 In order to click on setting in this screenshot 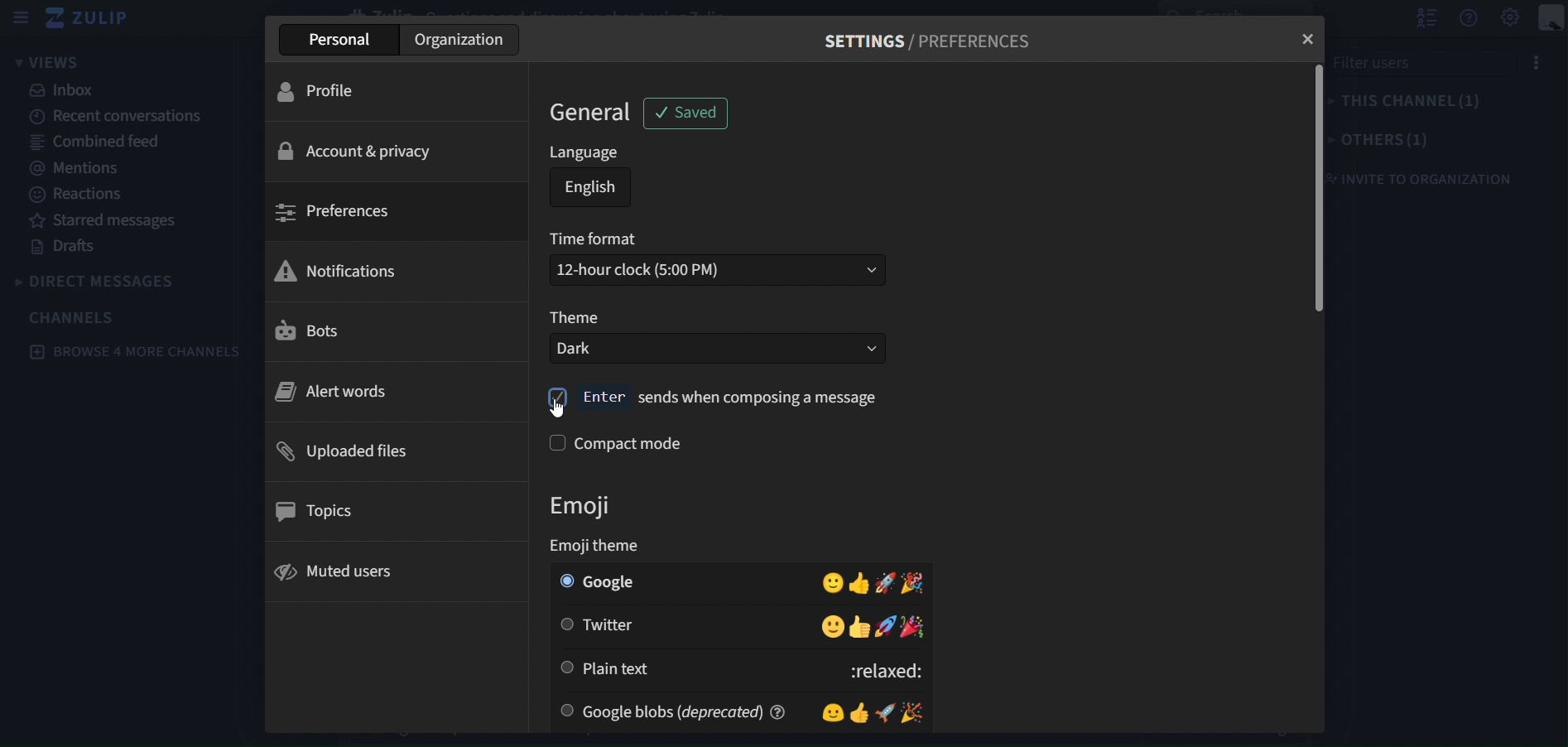, I will do `click(1508, 18)`.